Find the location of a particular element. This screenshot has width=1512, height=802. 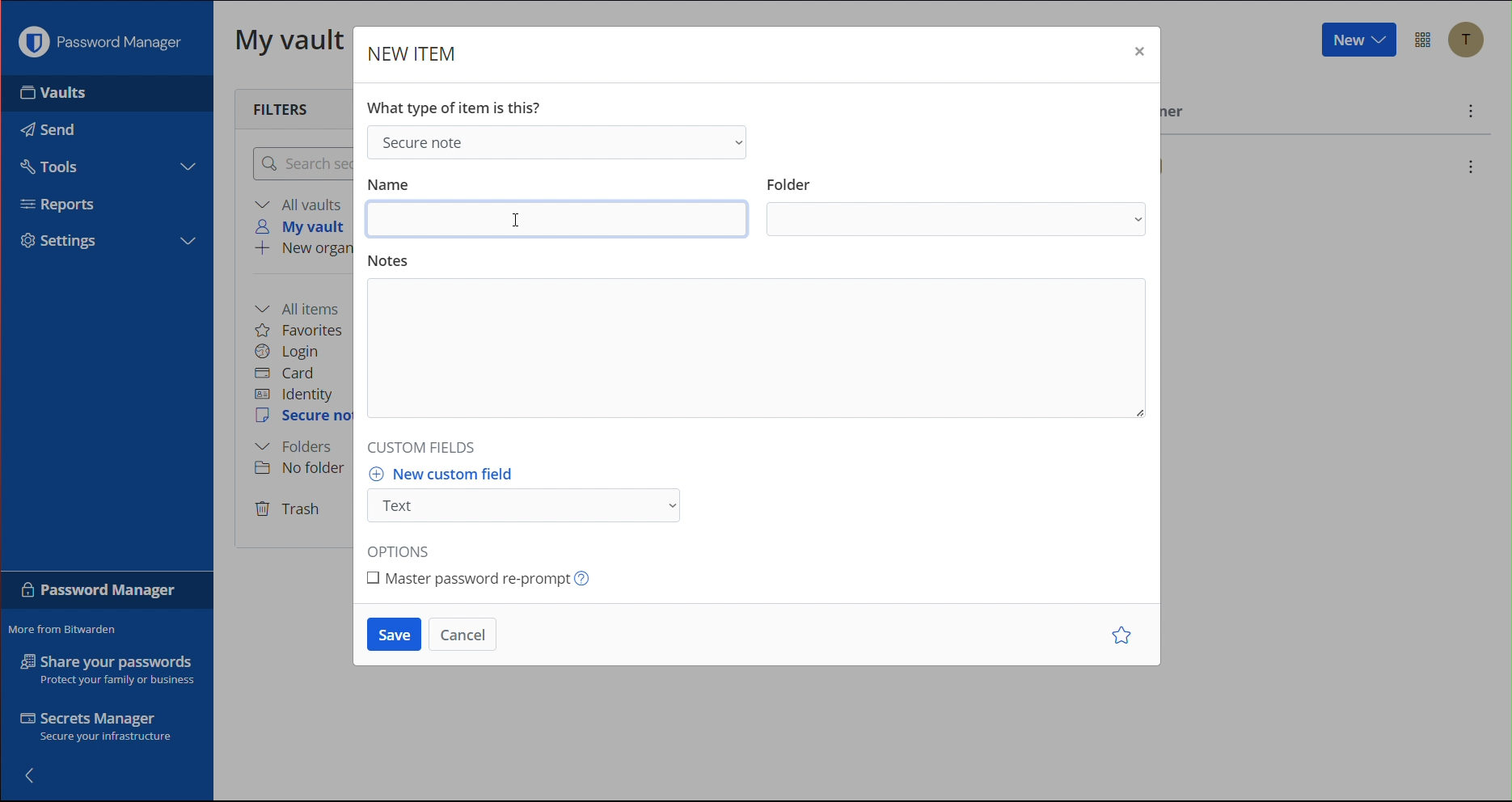

Master password prompt is located at coordinates (485, 576).